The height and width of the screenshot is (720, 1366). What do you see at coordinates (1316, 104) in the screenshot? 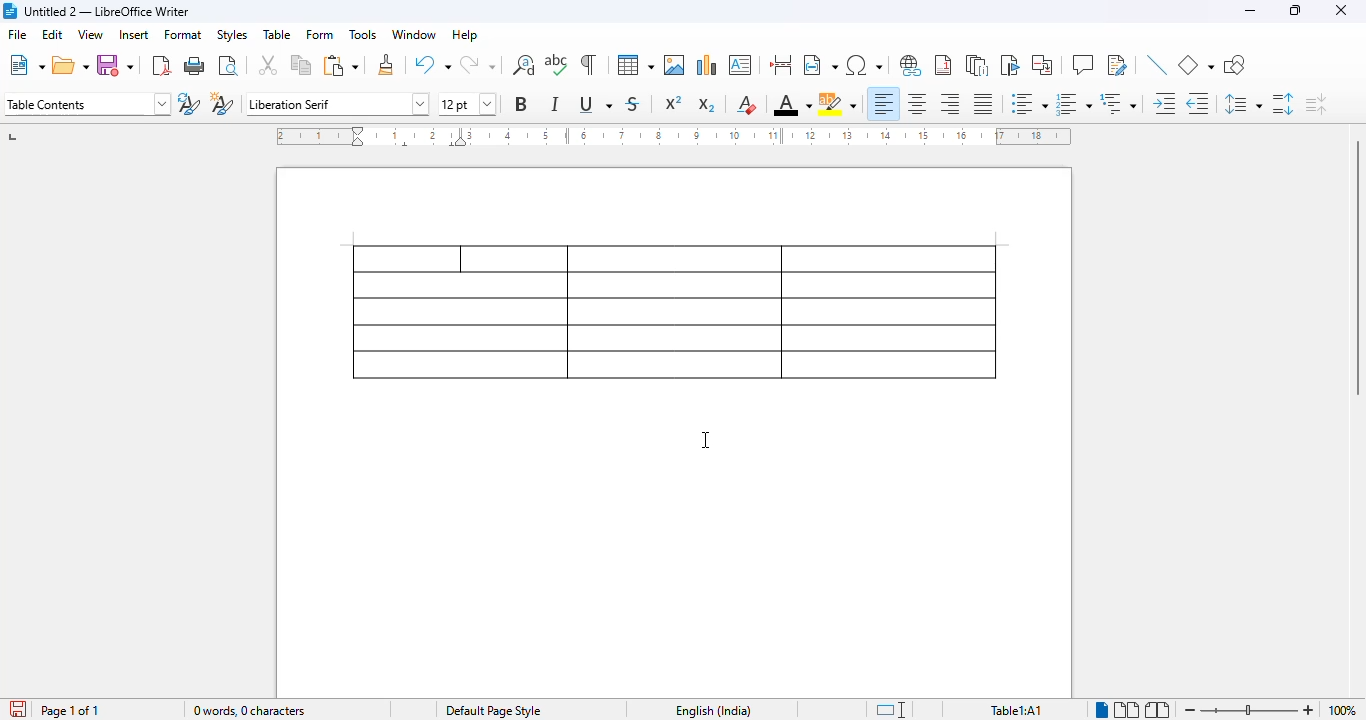
I see `decrease paragraph spacing` at bounding box center [1316, 104].